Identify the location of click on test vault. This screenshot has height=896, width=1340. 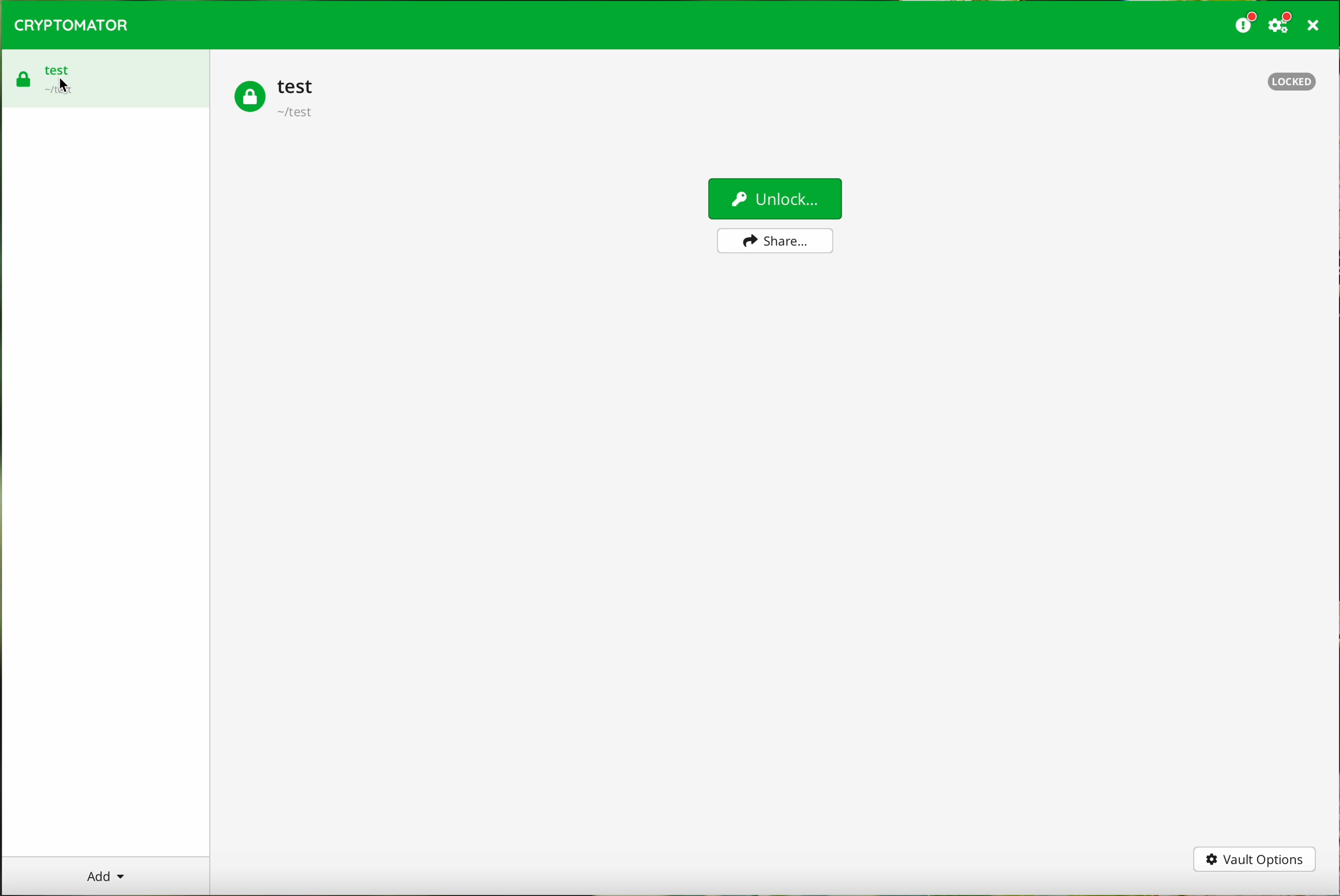
(106, 77).